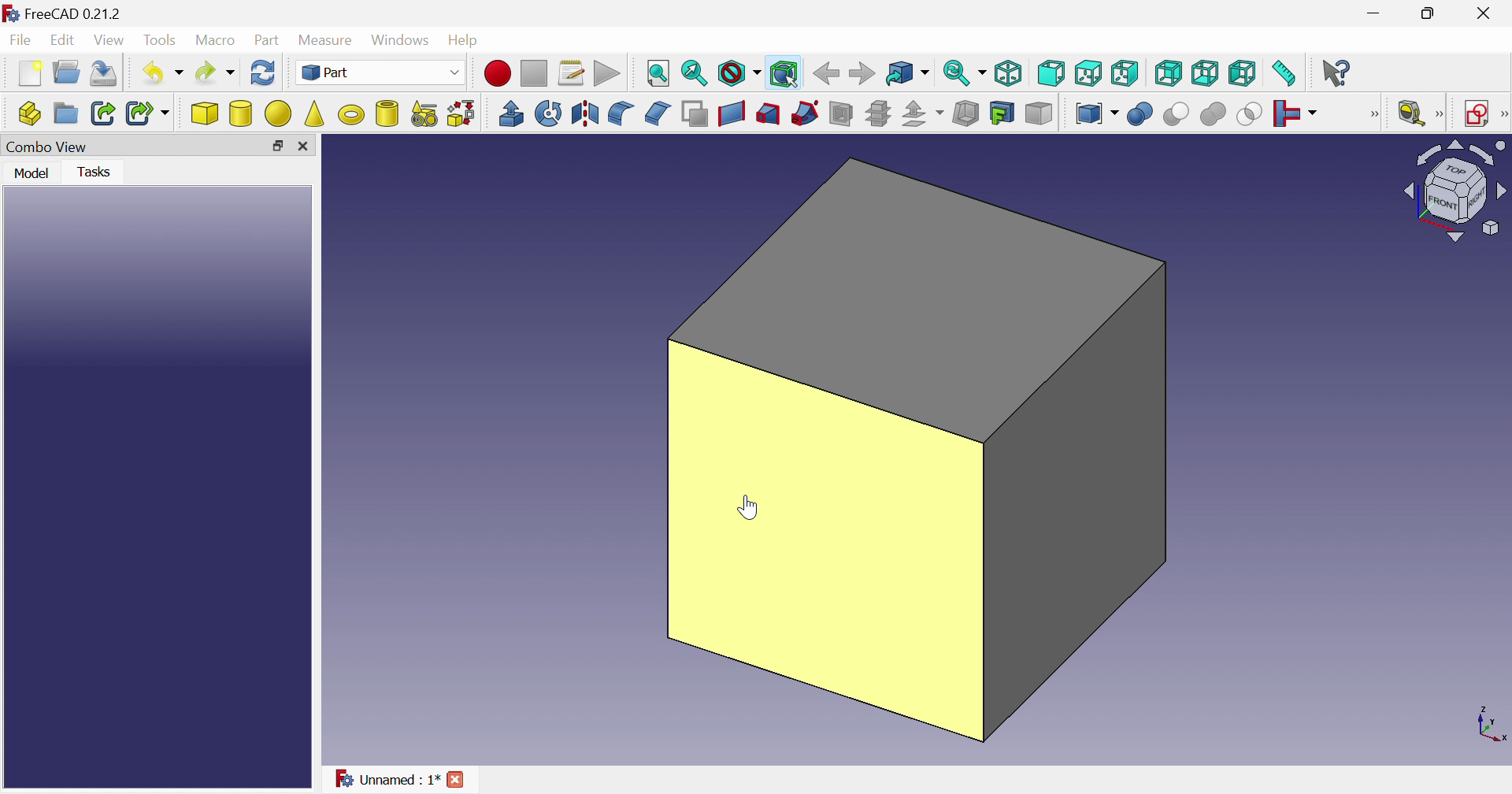 Image resolution: width=1512 pixels, height=794 pixels. Describe the element at coordinates (739, 75) in the screenshot. I see `Draw style ` at that location.